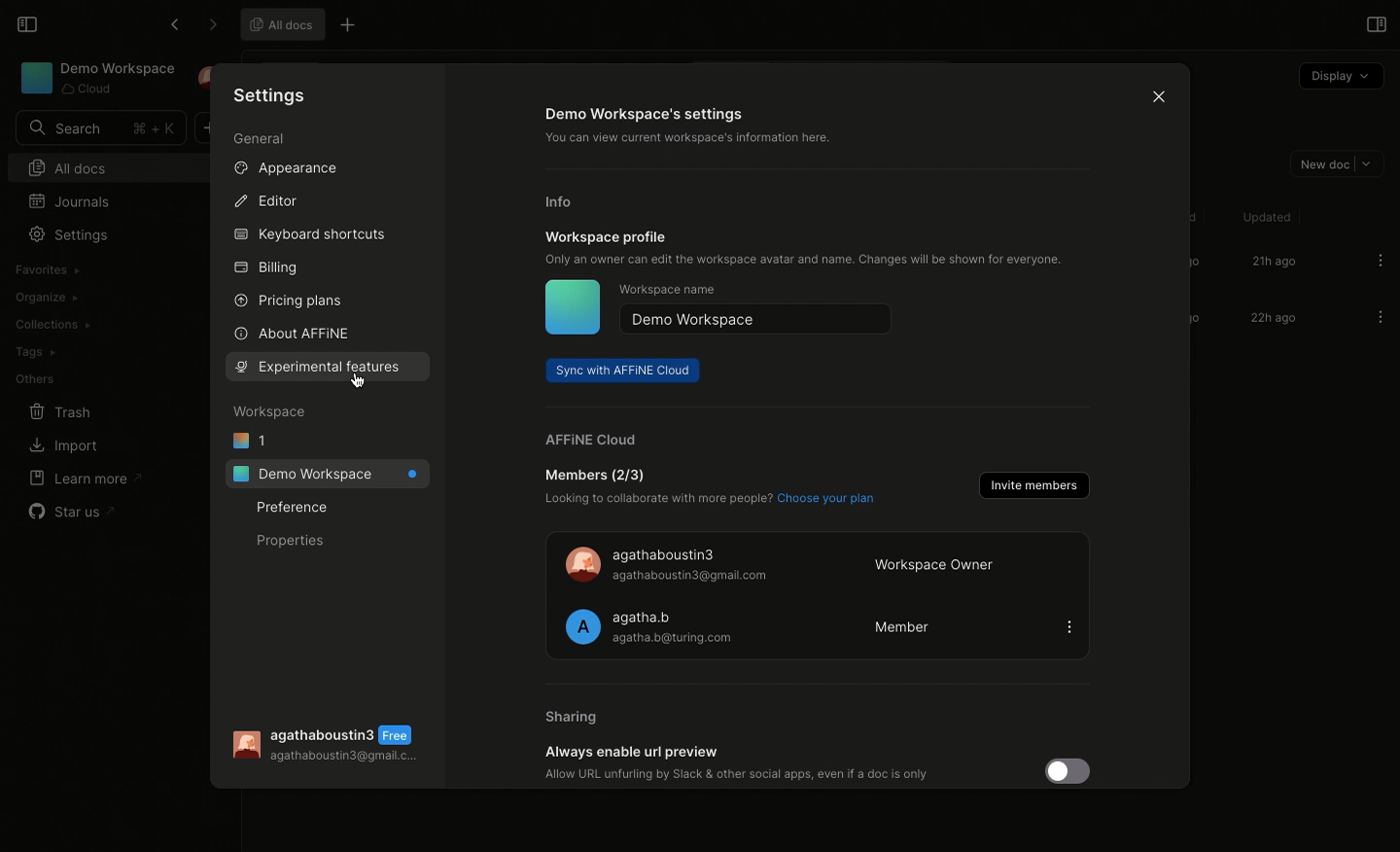 The width and height of the screenshot is (1400, 852). What do you see at coordinates (261, 141) in the screenshot?
I see `General` at bounding box center [261, 141].